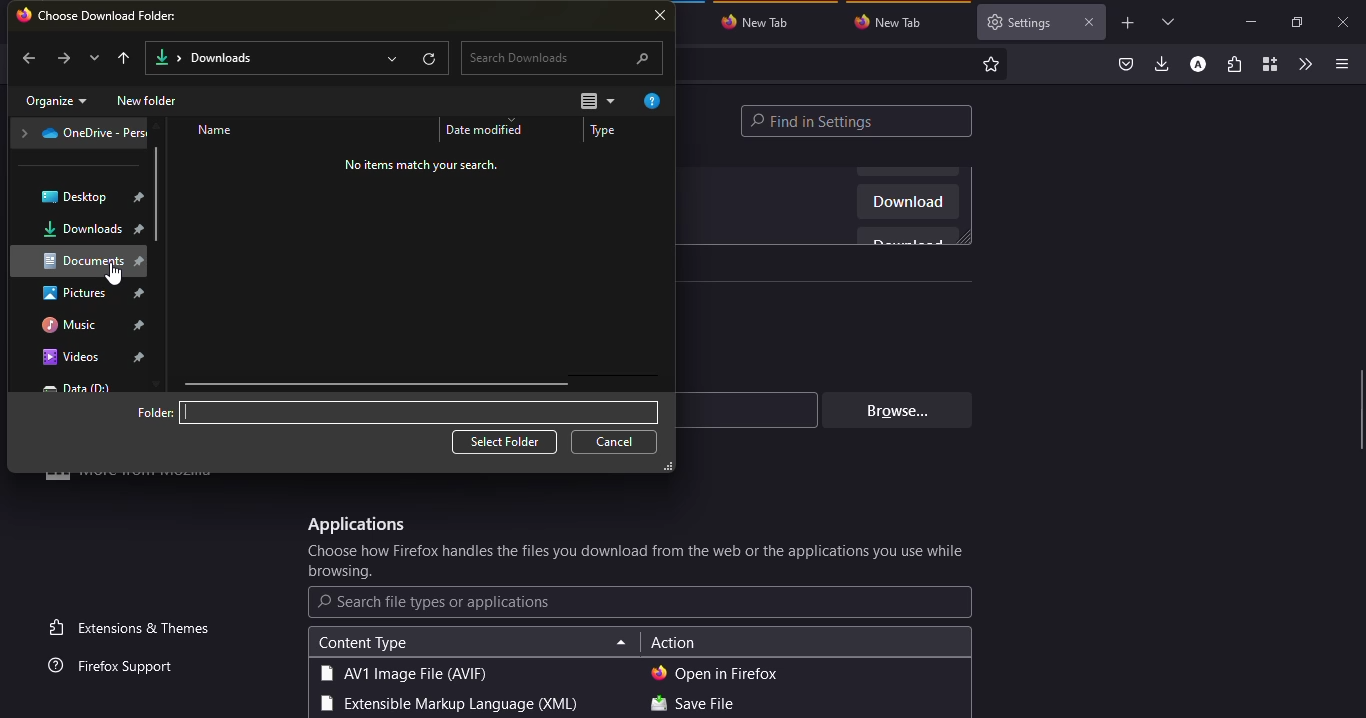 This screenshot has height=718, width=1366. What do you see at coordinates (362, 643) in the screenshot?
I see `content type` at bounding box center [362, 643].